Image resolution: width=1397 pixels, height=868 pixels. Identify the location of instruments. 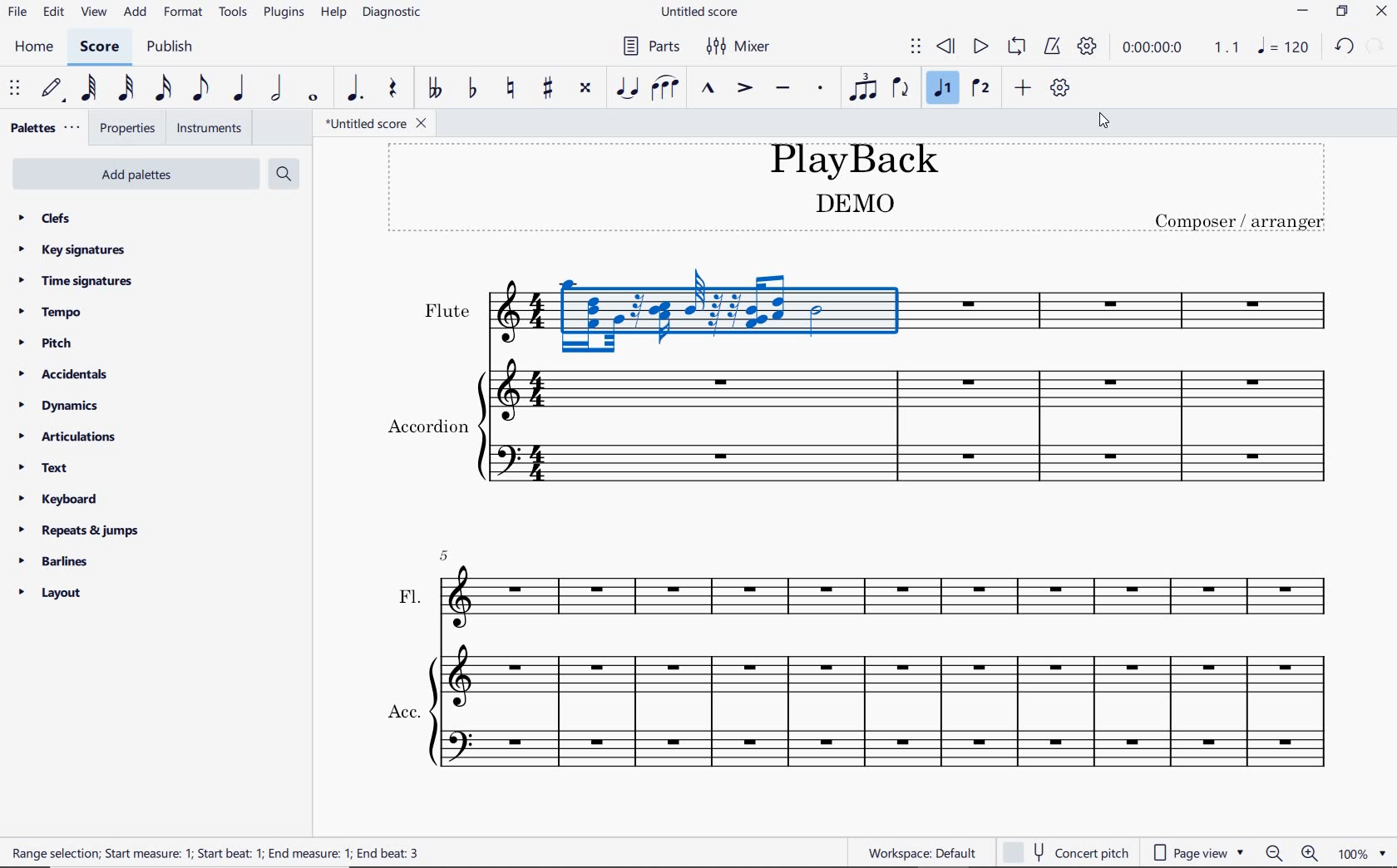
(210, 128).